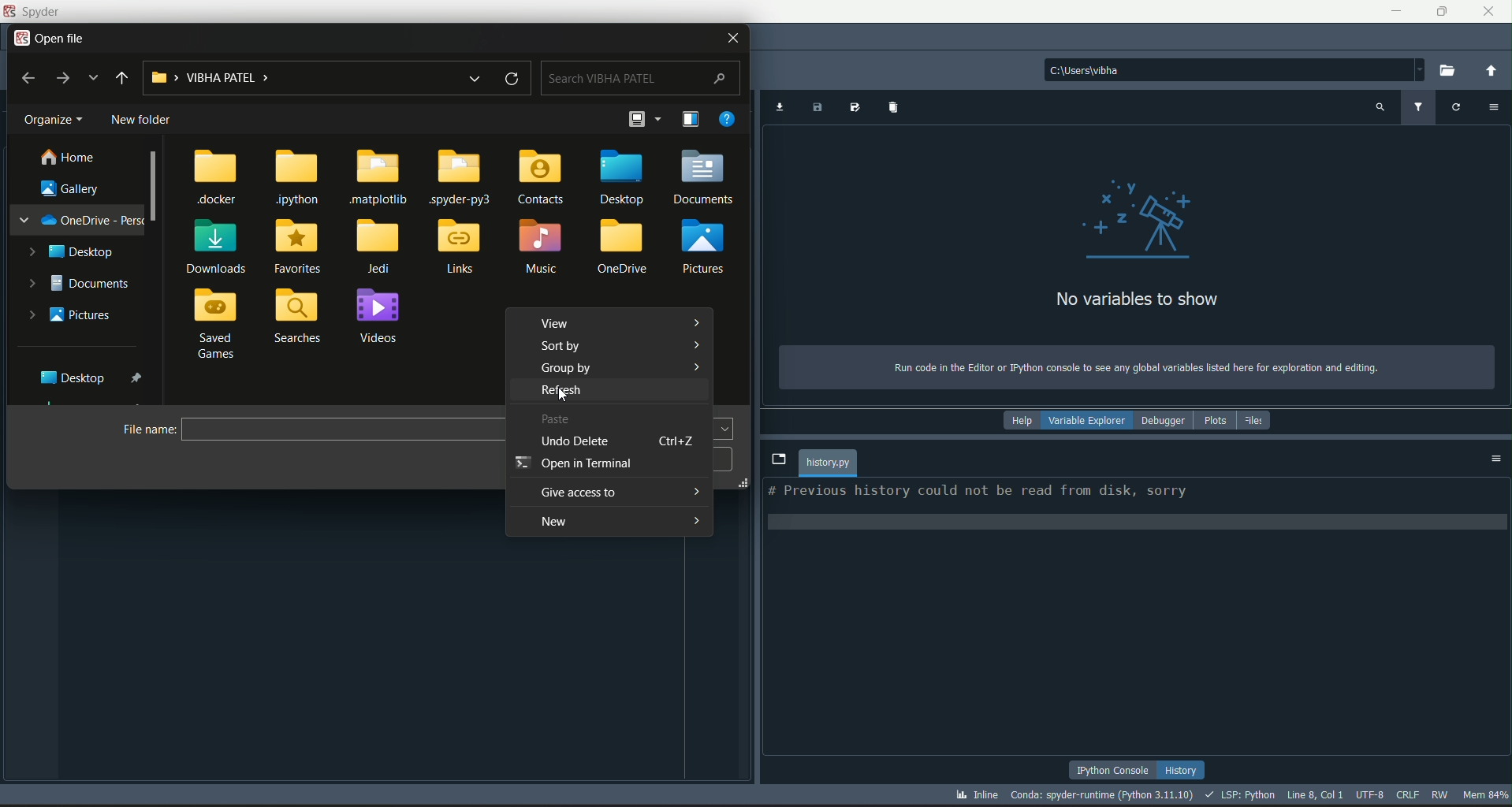 The image size is (1512, 807). Describe the element at coordinates (542, 247) in the screenshot. I see `music` at that location.